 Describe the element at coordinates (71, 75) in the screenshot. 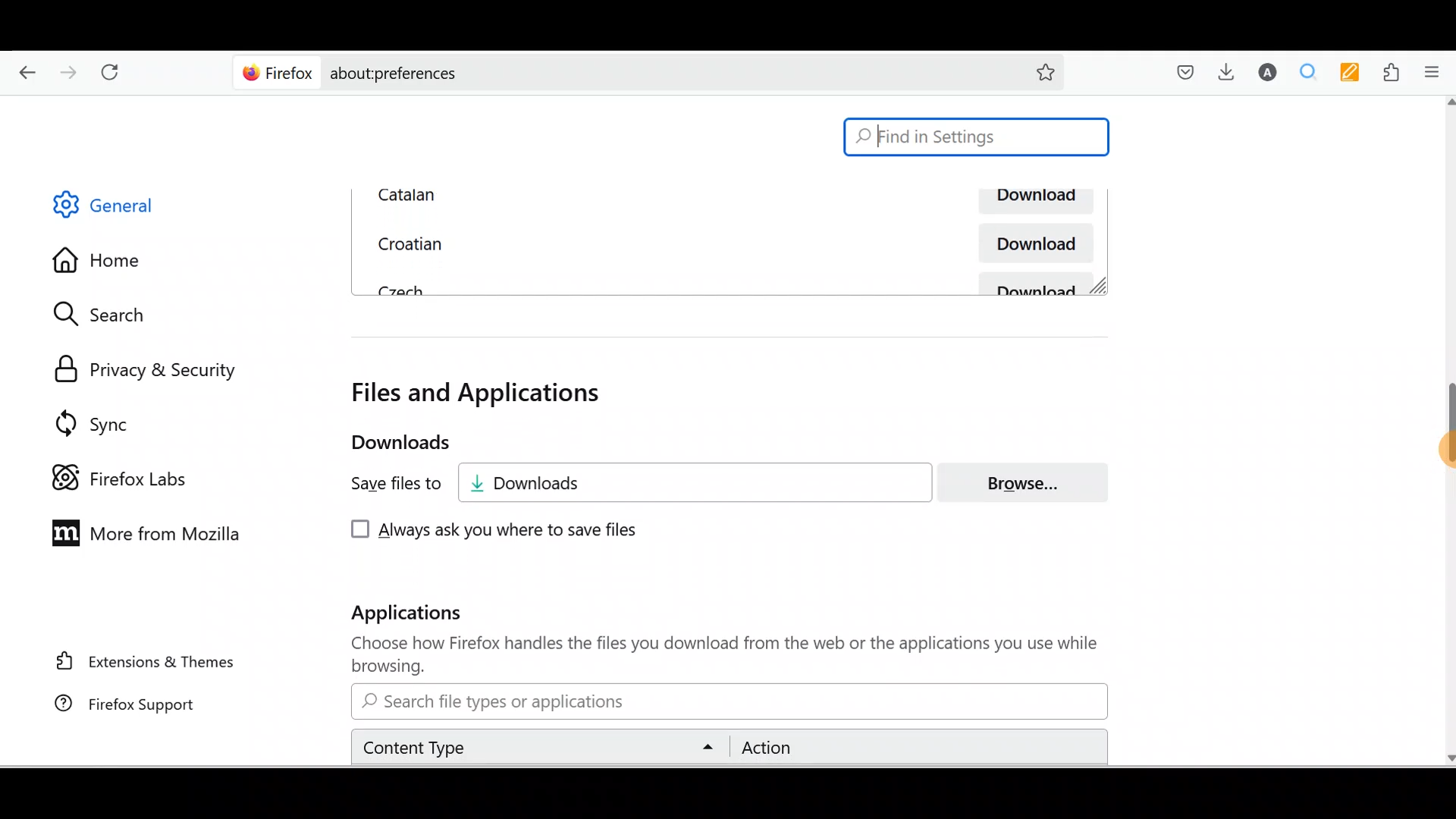

I see `Go forward one page` at that location.